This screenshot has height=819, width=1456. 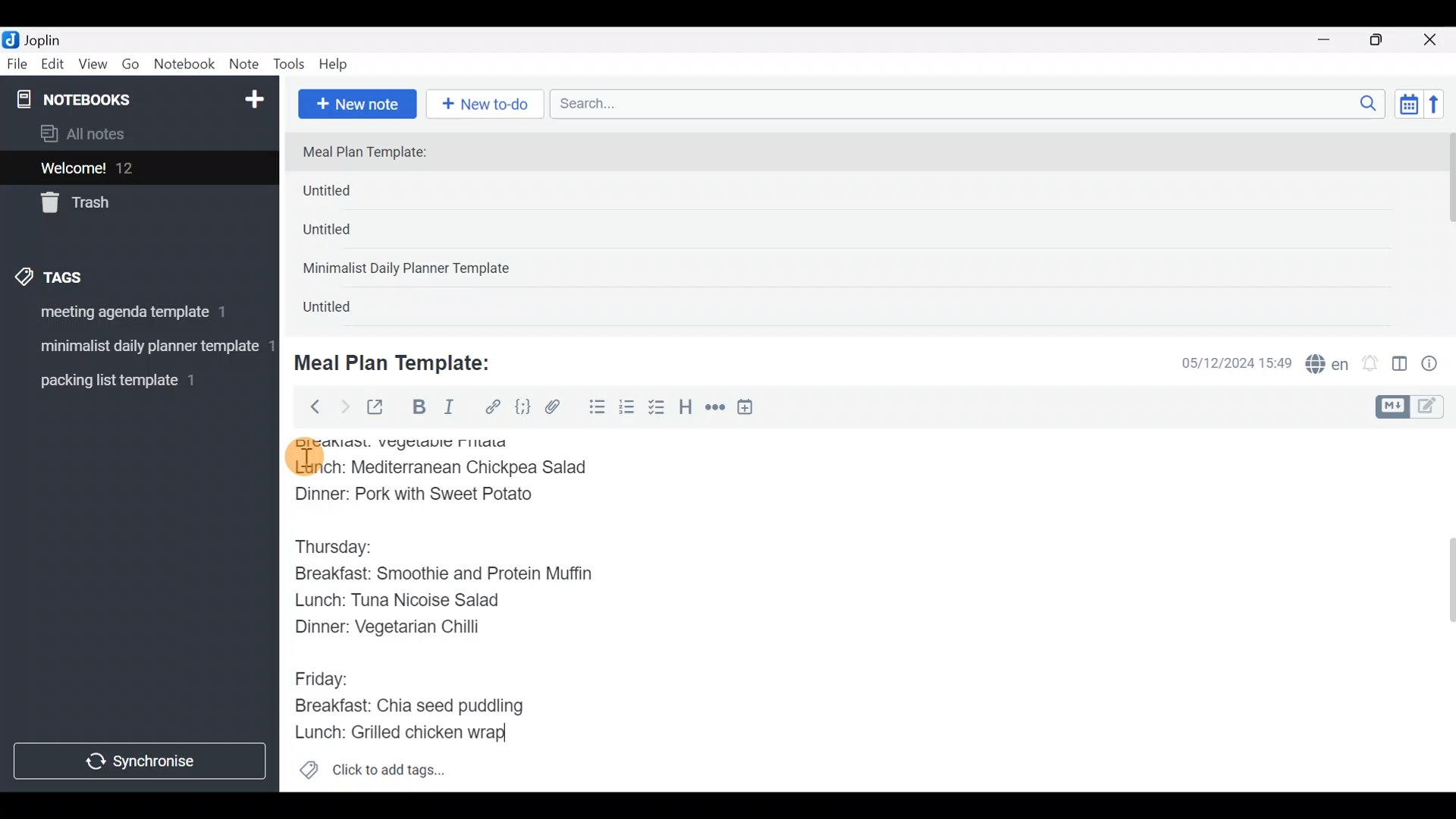 What do you see at coordinates (658, 409) in the screenshot?
I see `Checkbox` at bounding box center [658, 409].